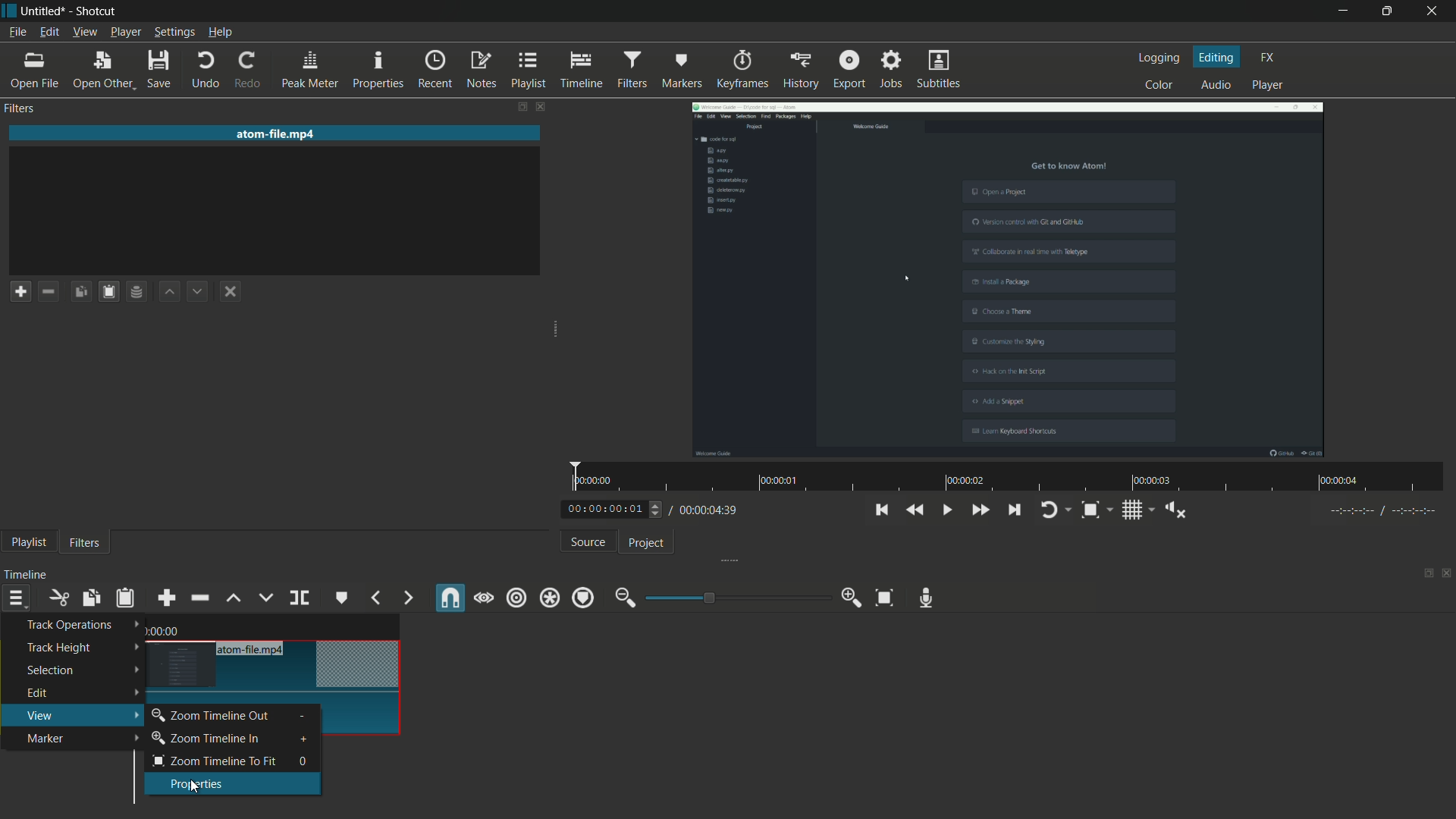 The image size is (1456, 819). What do you see at coordinates (306, 763) in the screenshot?
I see `0` at bounding box center [306, 763].